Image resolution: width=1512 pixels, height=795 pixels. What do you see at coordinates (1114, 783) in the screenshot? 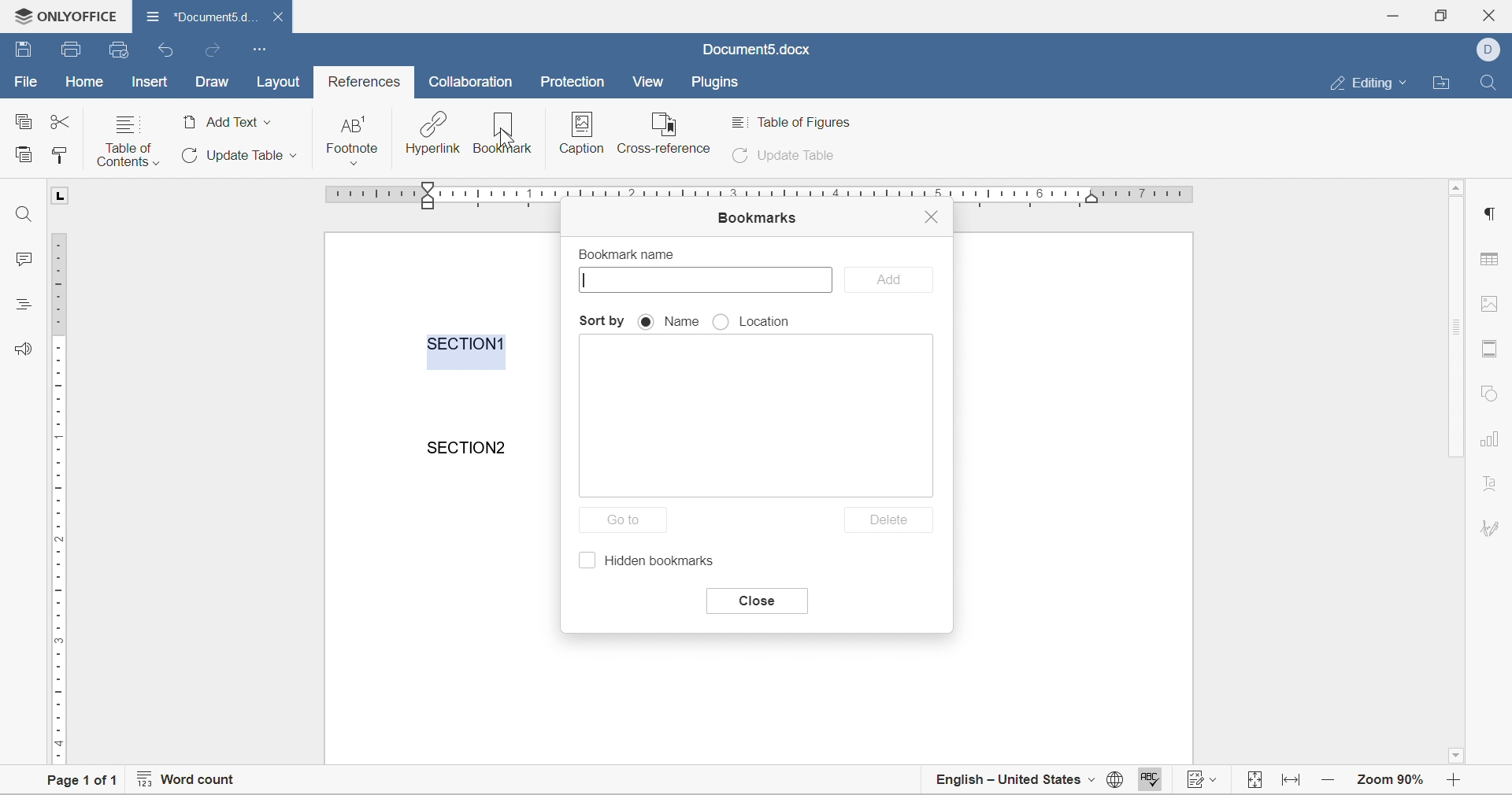
I see `set document language` at bounding box center [1114, 783].